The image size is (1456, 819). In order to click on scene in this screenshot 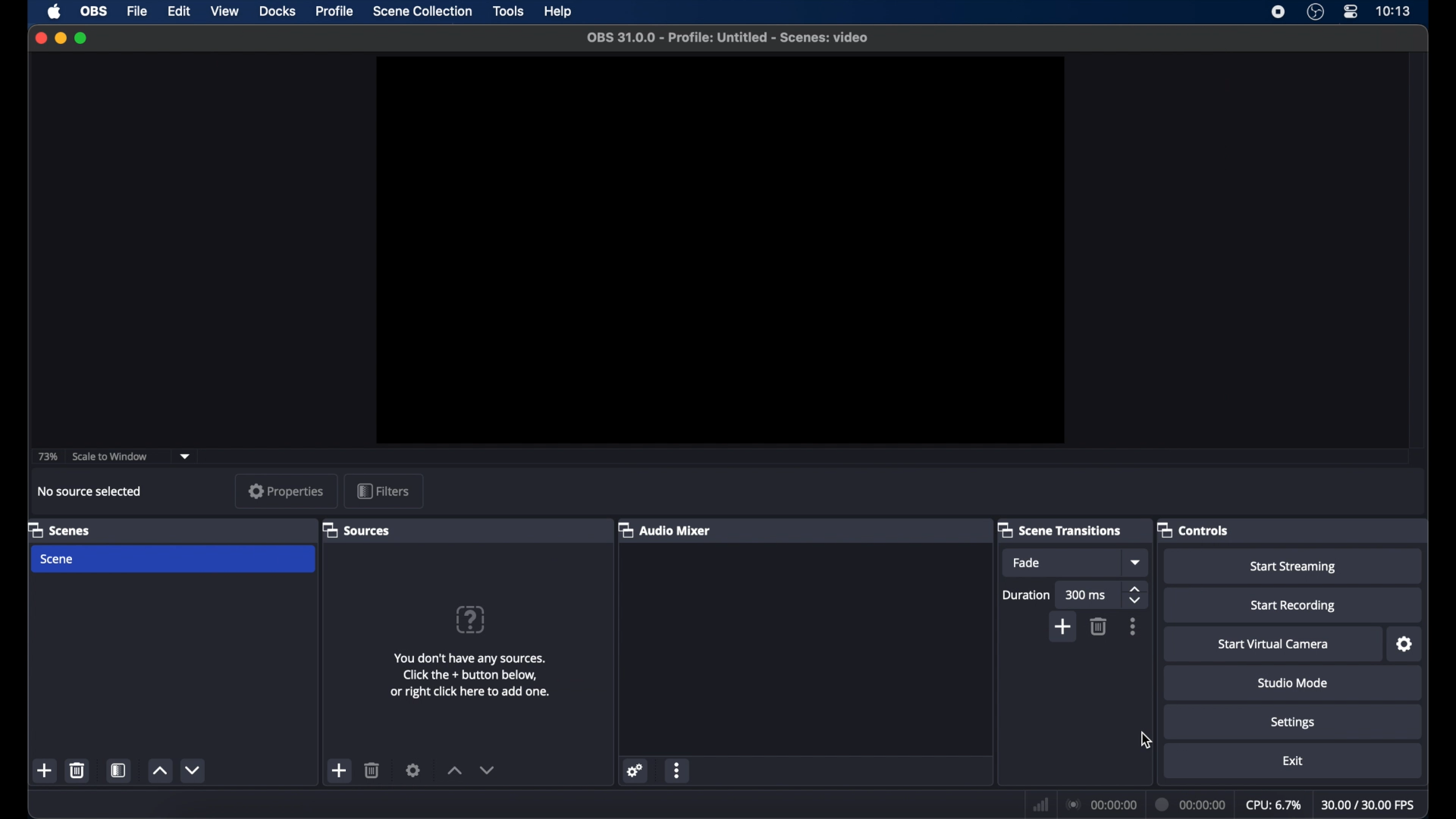, I will do `click(58, 560)`.